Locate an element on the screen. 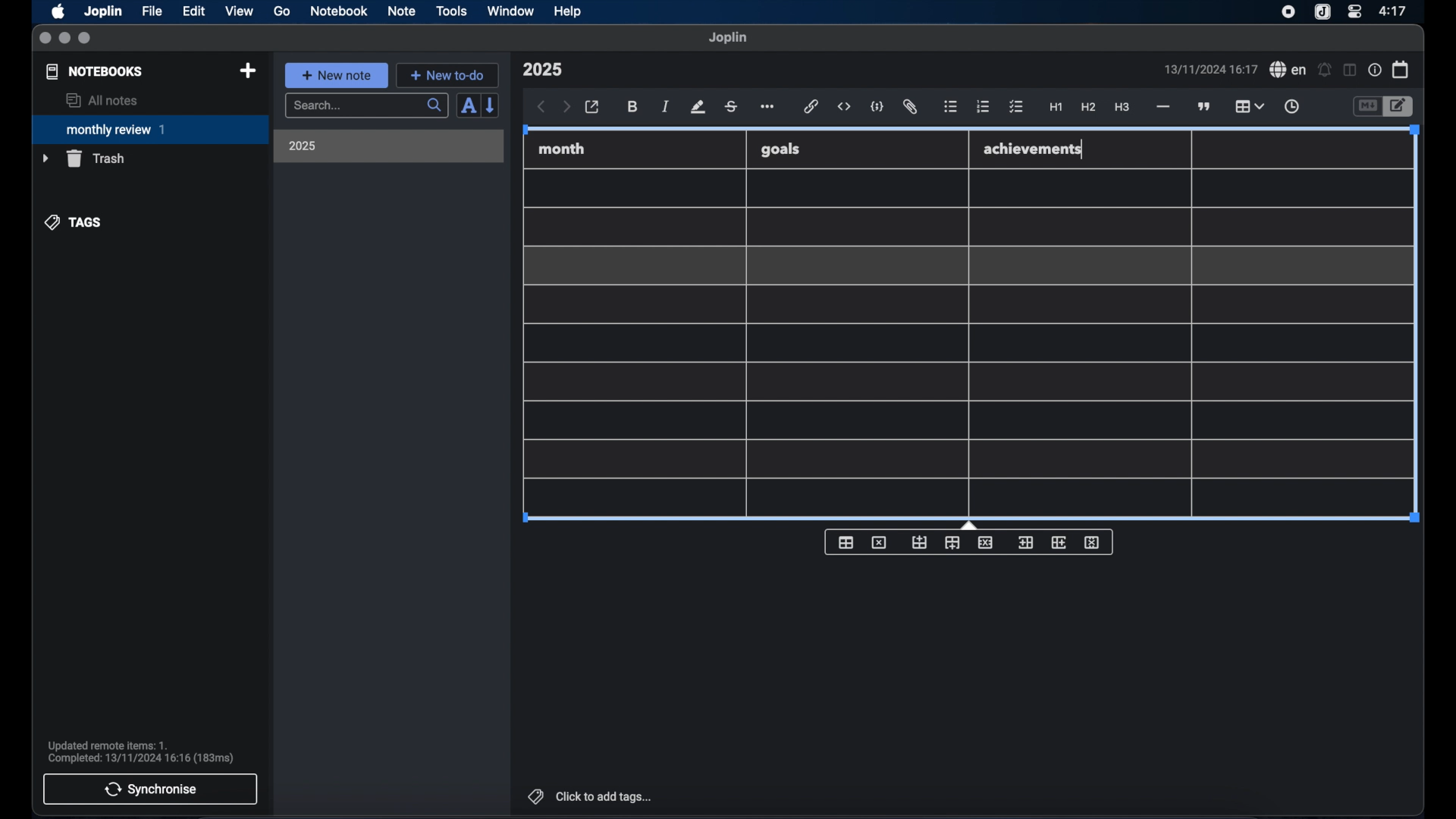 The height and width of the screenshot is (819, 1456). delete column is located at coordinates (1093, 543).